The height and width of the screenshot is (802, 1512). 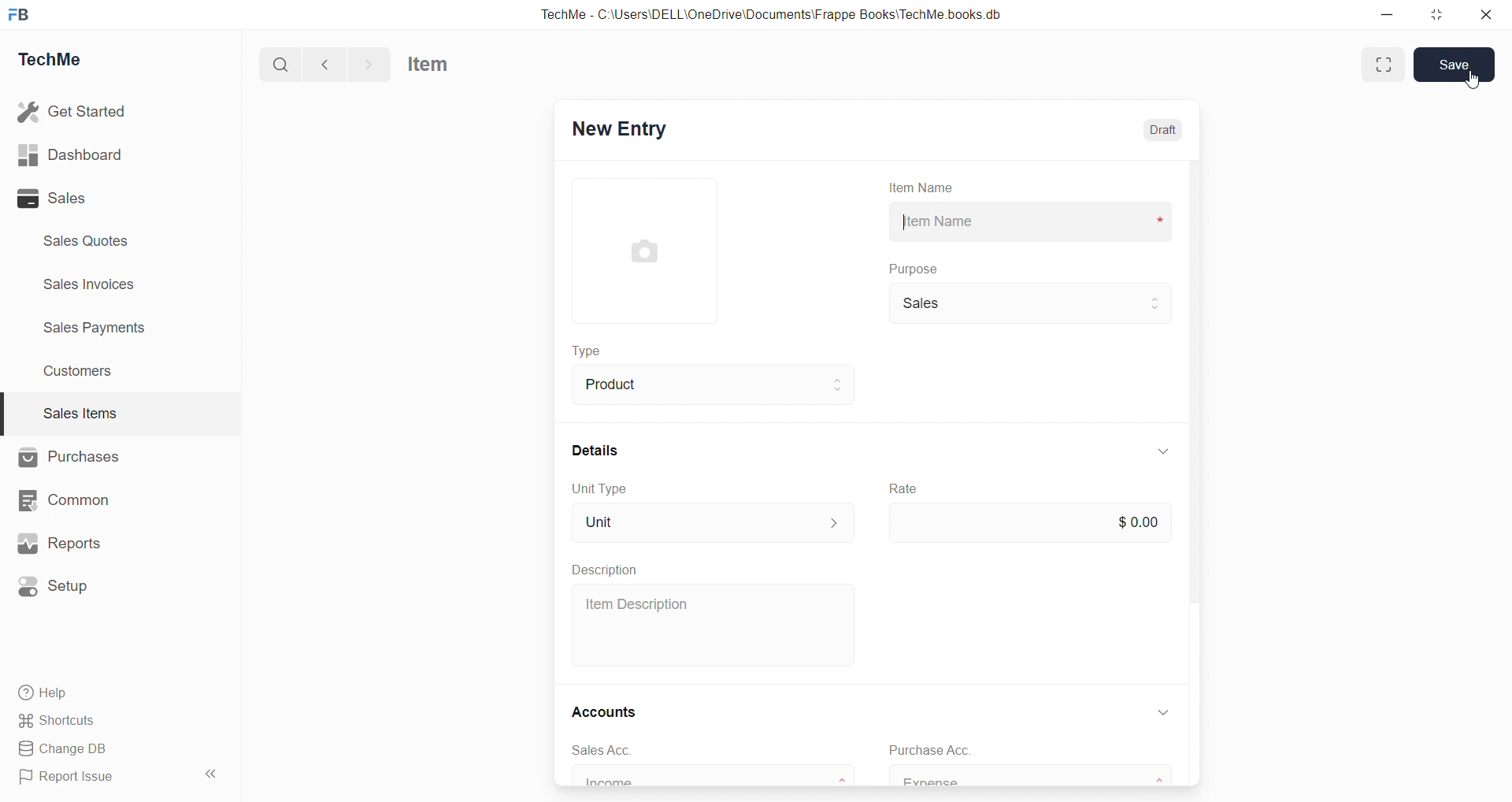 I want to click on minimize, so click(x=1387, y=13).